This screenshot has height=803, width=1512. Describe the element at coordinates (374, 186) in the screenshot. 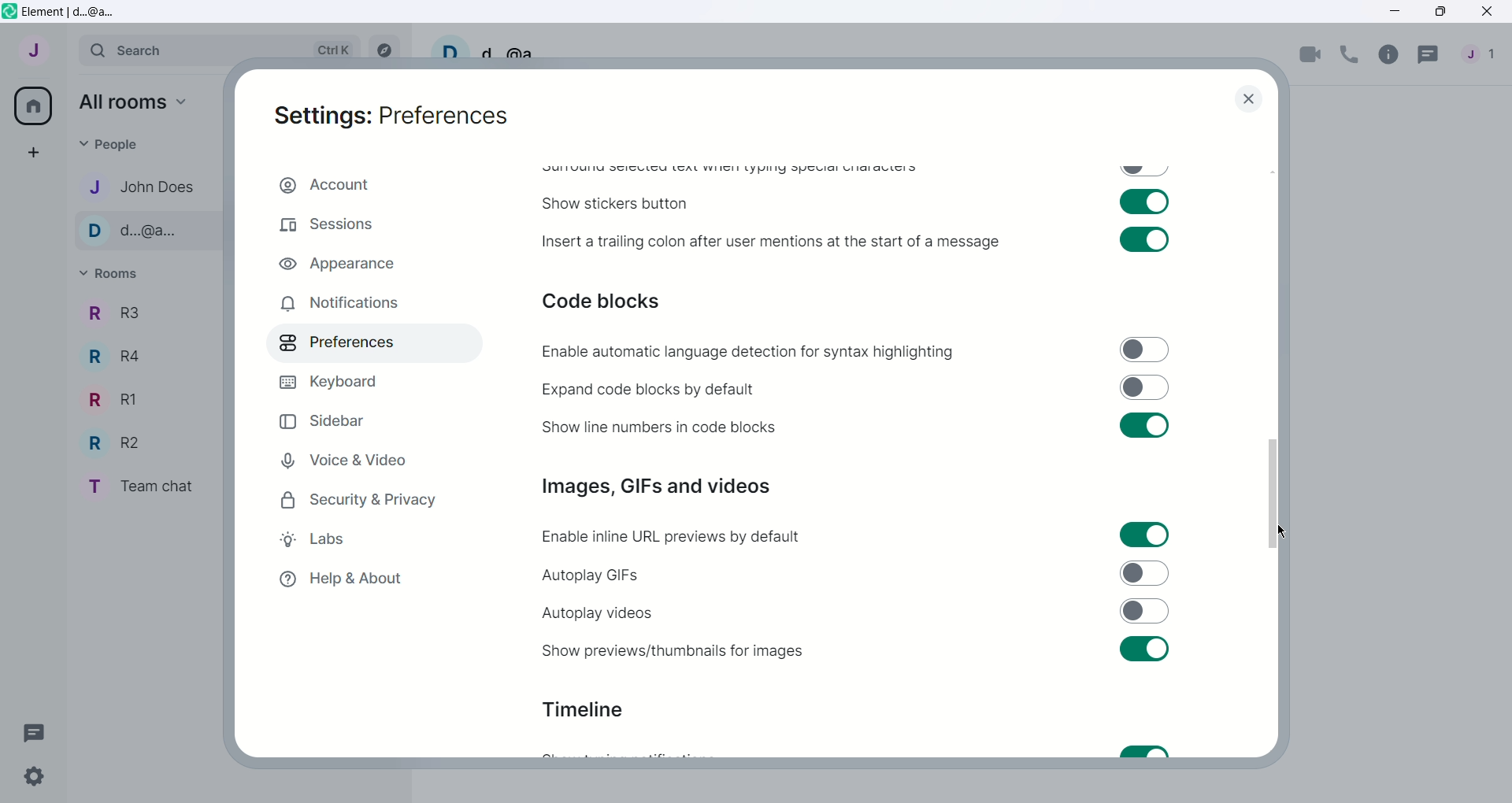

I see `Account ` at that location.